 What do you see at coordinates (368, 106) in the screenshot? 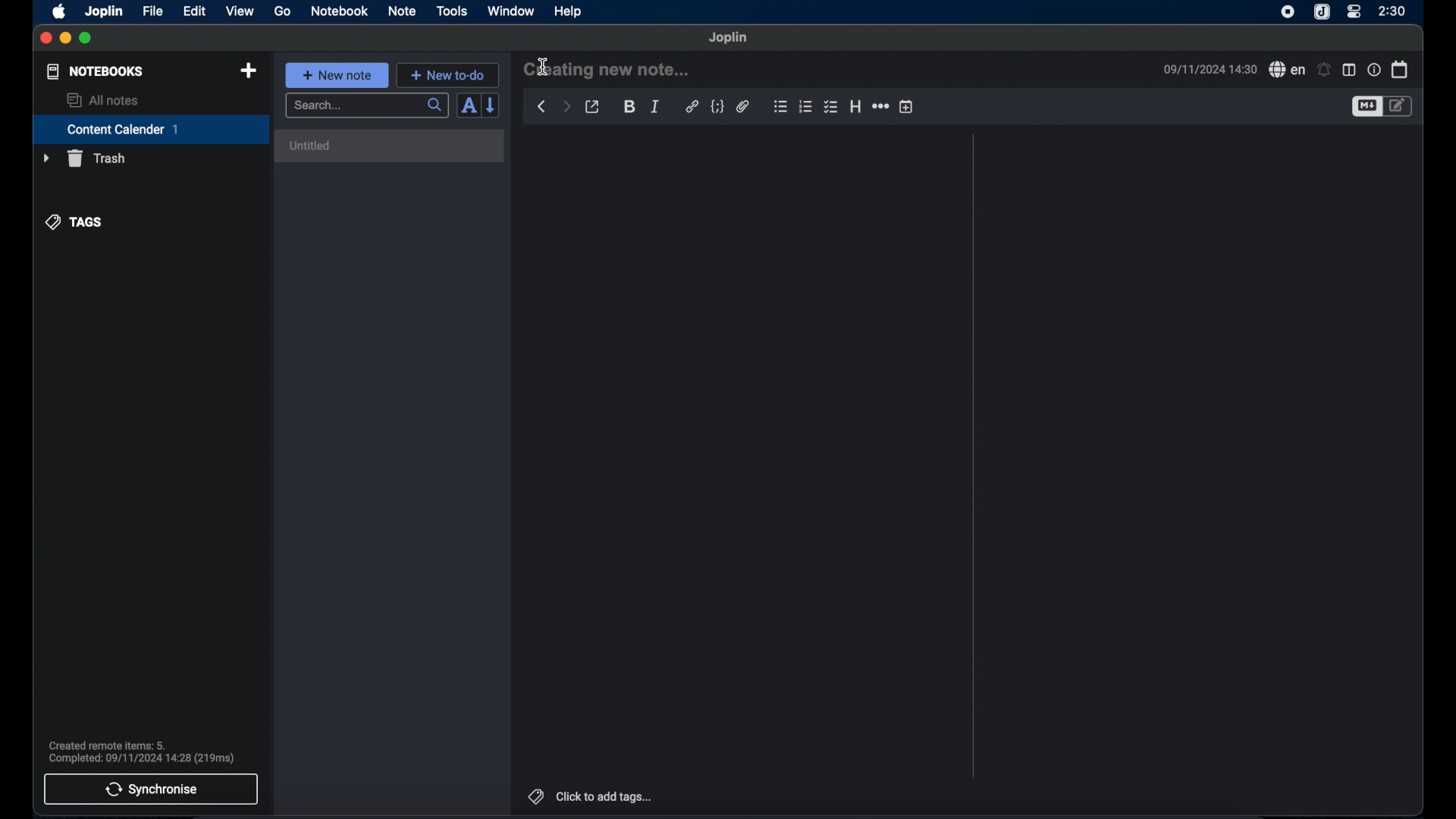
I see `search bar` at bounding box center [368, 106].